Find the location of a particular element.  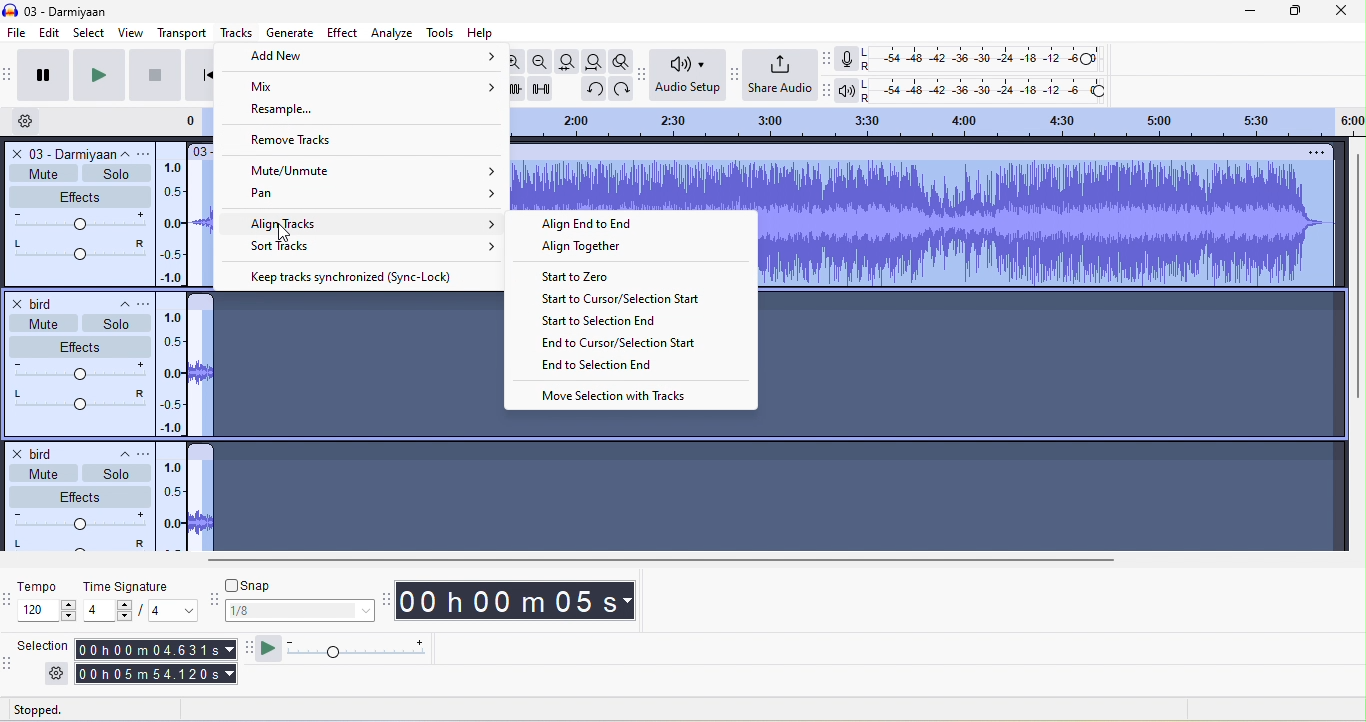

00 h 05 m 54.1.120 s is located at coordinates (155, 674).